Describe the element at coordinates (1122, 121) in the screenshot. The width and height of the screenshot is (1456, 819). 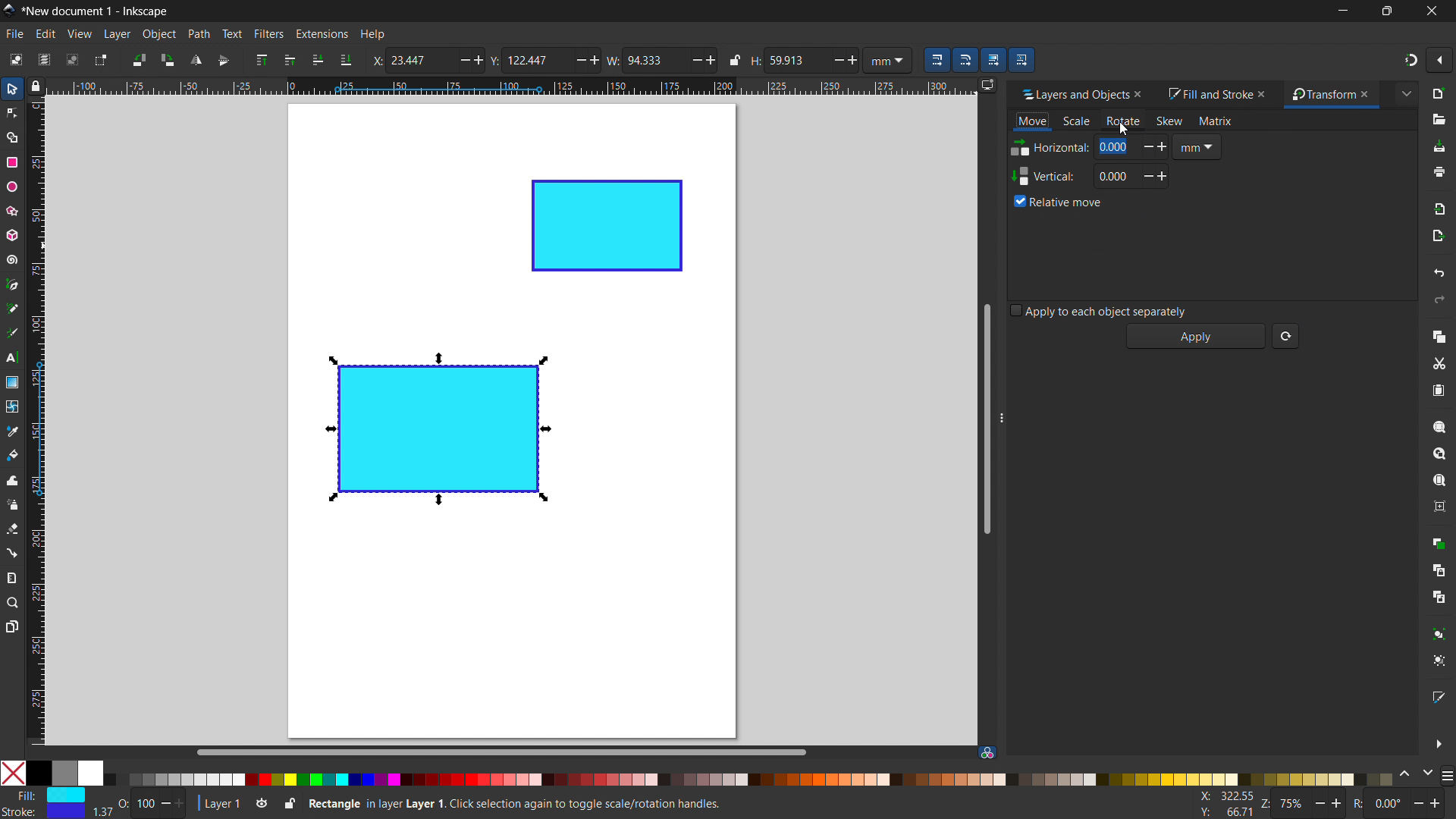
I see `rotate` at that location.